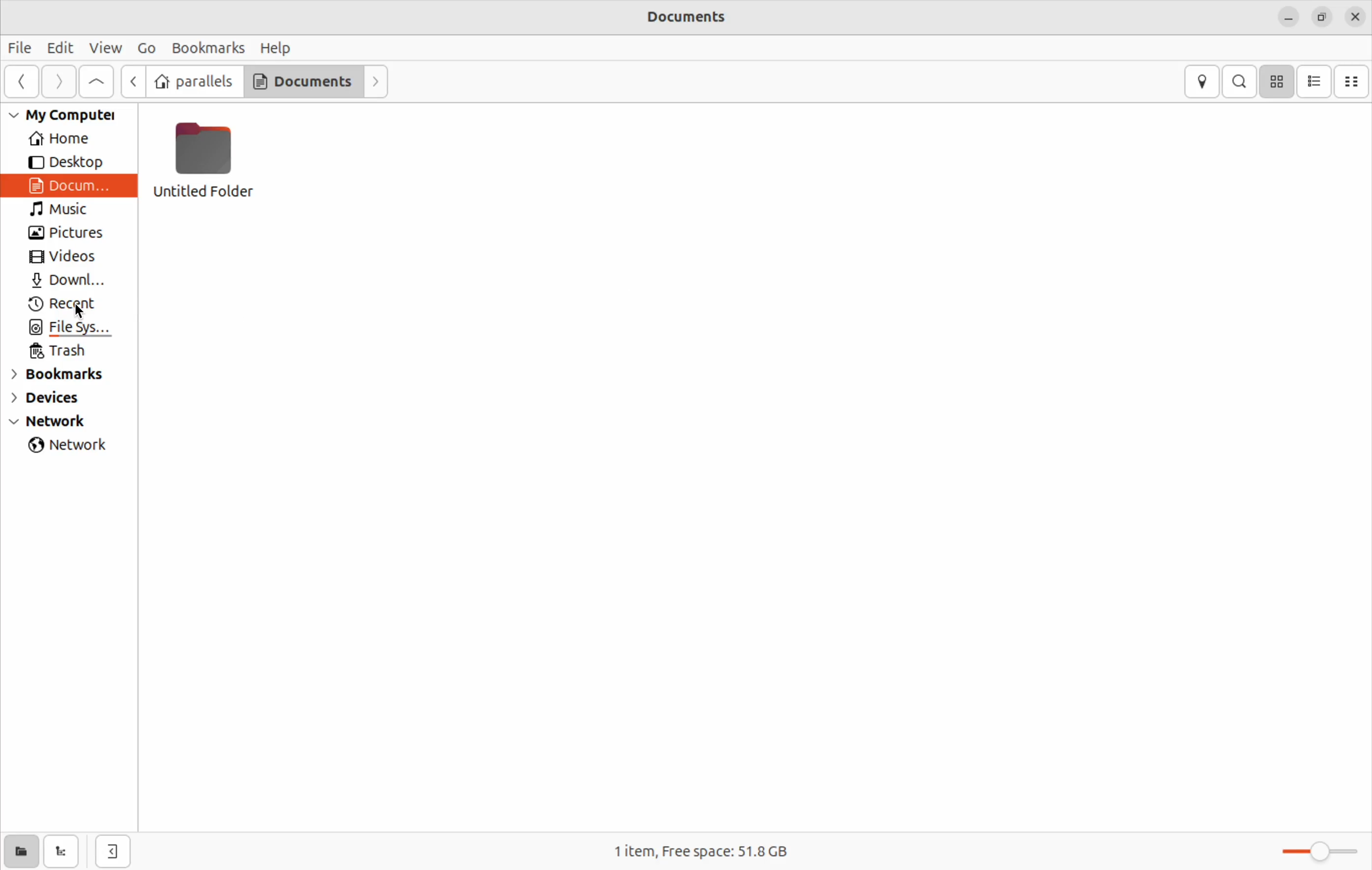 Image resolution: width=1372 pixels, height=870 pixels. What do you see at coordinates (67, 328) in the screenshot?
I see `file system` at bounding box center [67, 328].